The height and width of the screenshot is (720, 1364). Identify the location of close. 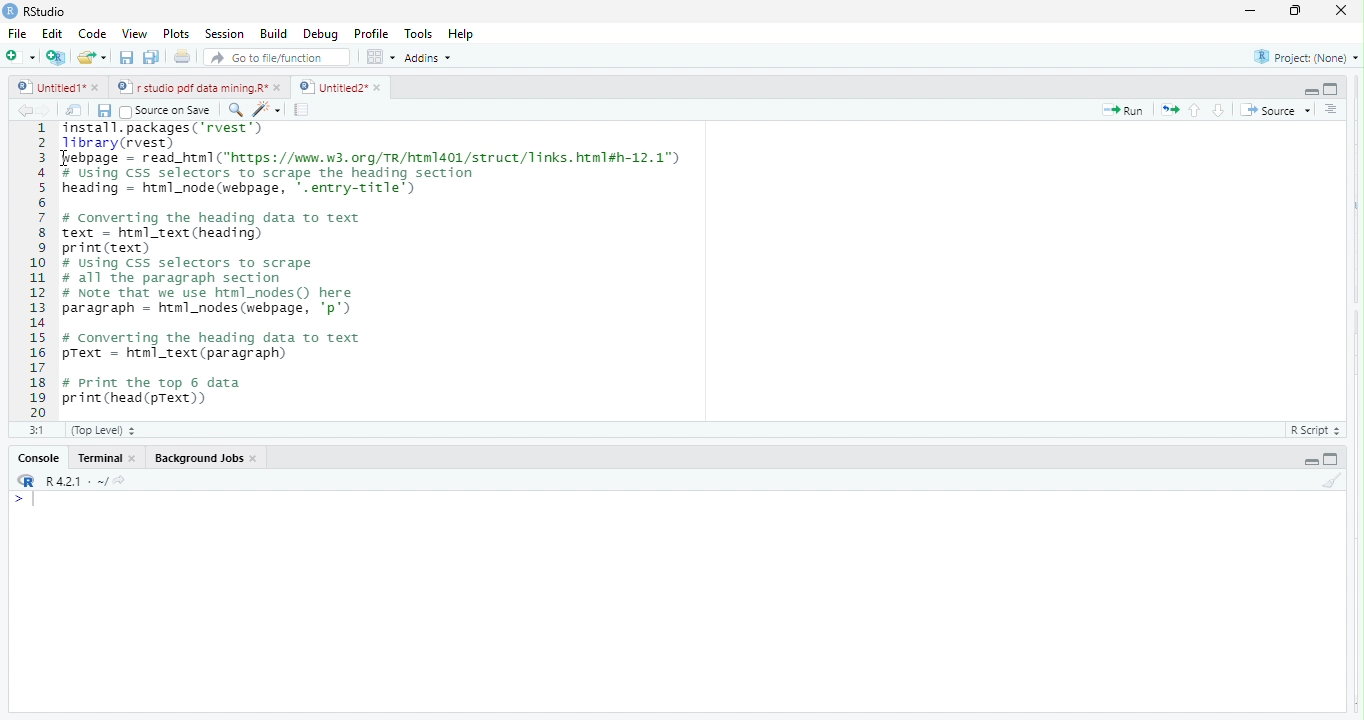
(98, 89).